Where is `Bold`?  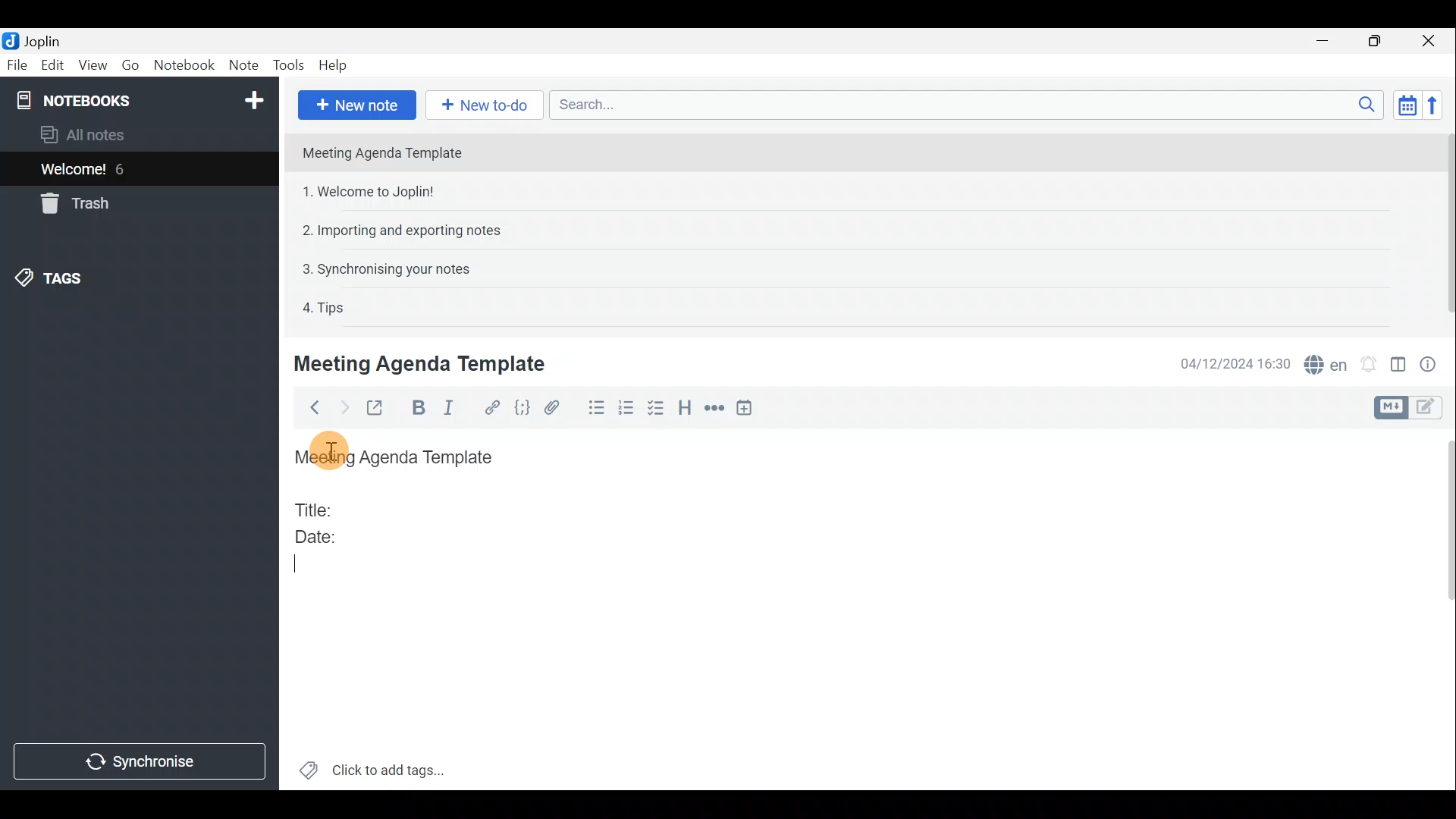
Bold is located at coordinates (417, 408).